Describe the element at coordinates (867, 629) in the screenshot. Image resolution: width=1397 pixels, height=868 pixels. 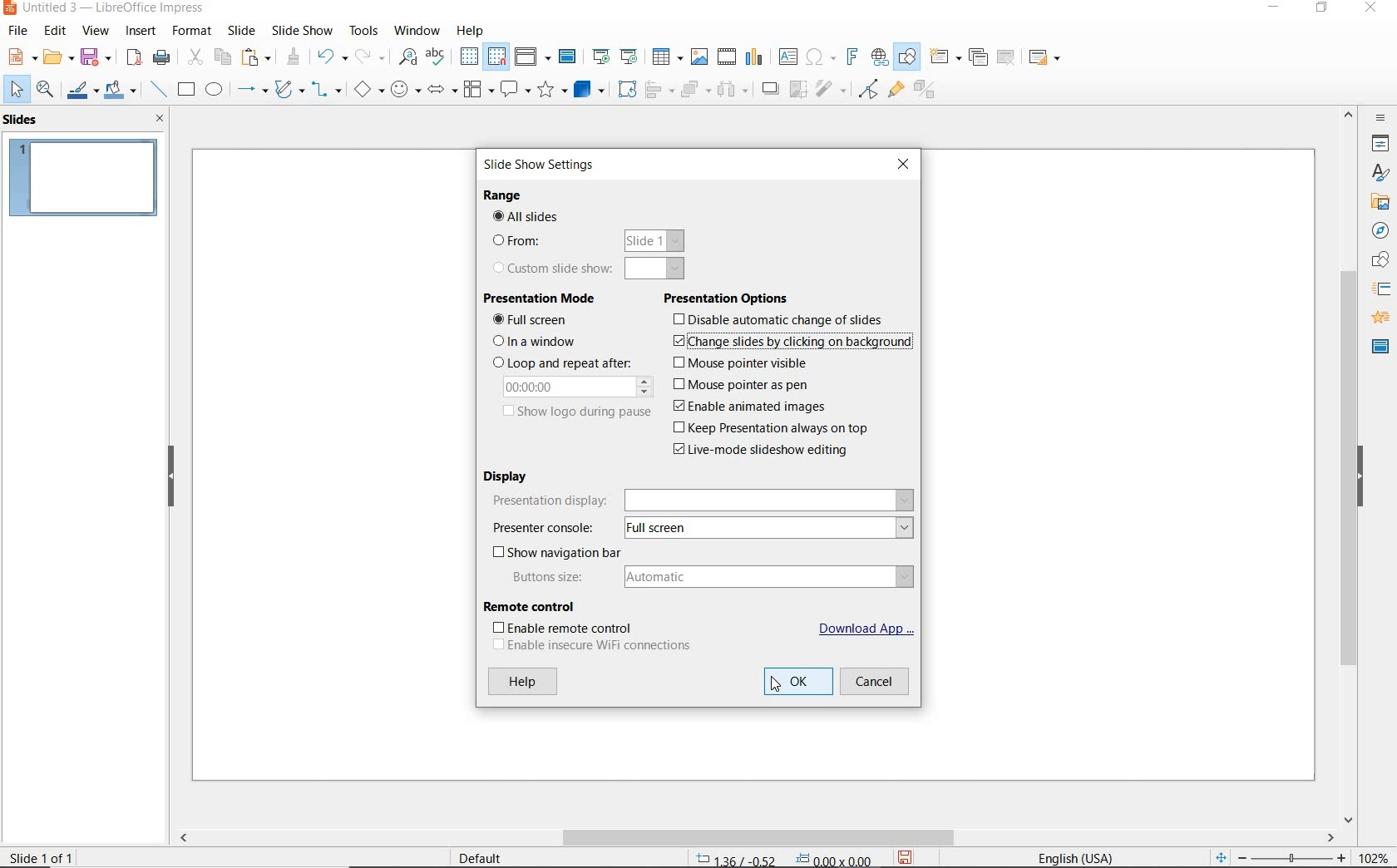
I see `DOWNLOAD APP` at that location.